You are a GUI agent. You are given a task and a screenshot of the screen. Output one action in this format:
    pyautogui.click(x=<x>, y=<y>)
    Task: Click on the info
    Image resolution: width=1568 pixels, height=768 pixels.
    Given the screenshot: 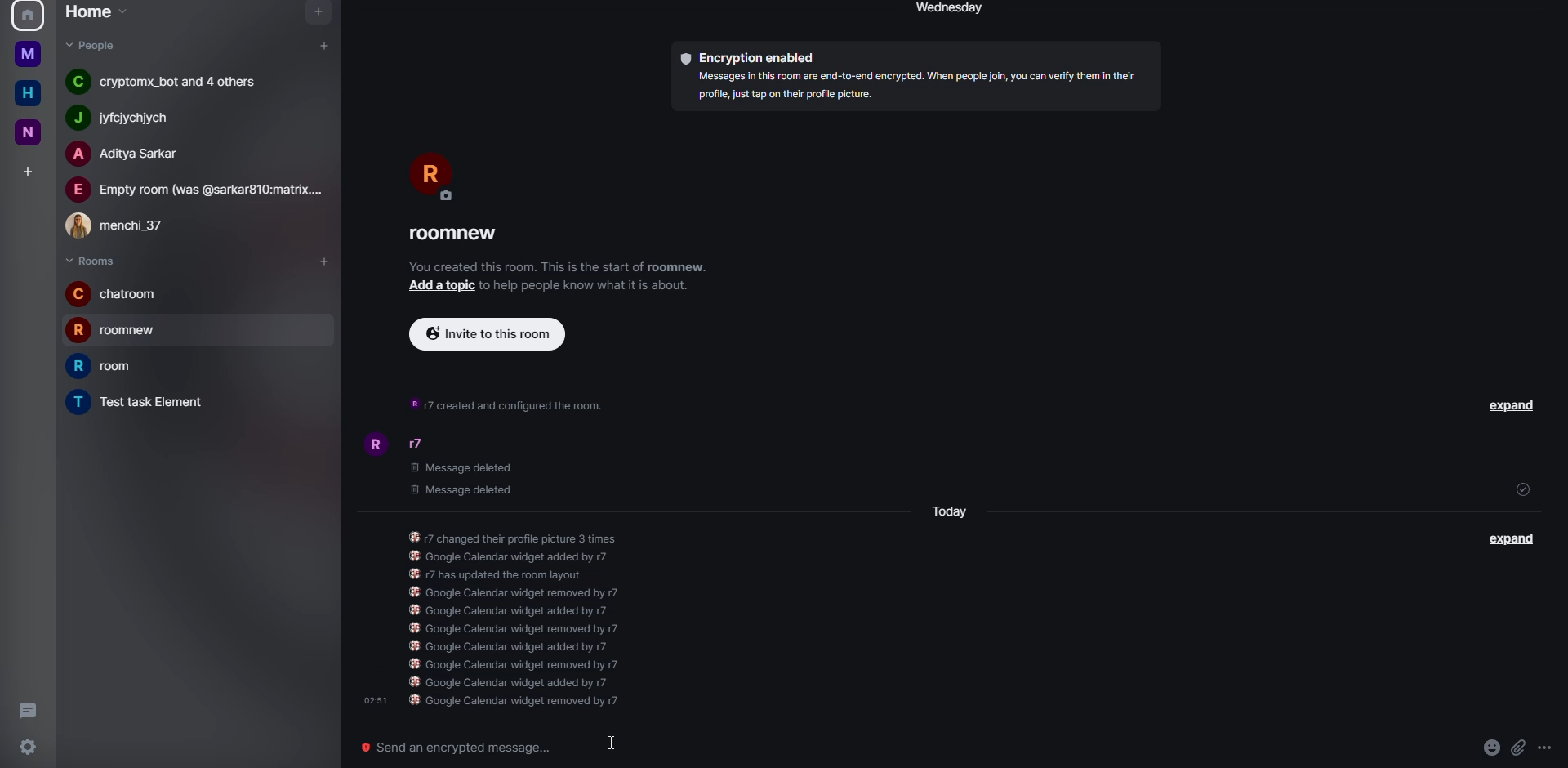 What is the action you would take?
    pyautogui.click(x=532, y=618)
    